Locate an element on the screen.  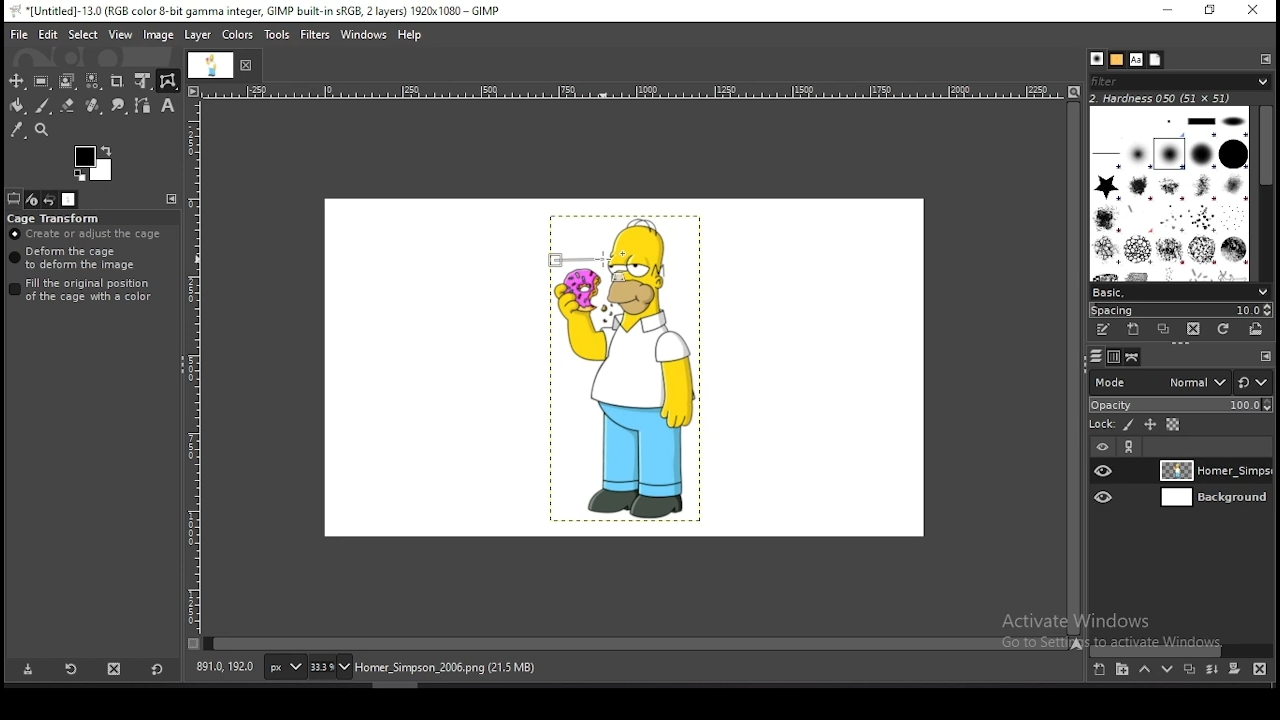
brushes is located at coordinates (1171, 192).